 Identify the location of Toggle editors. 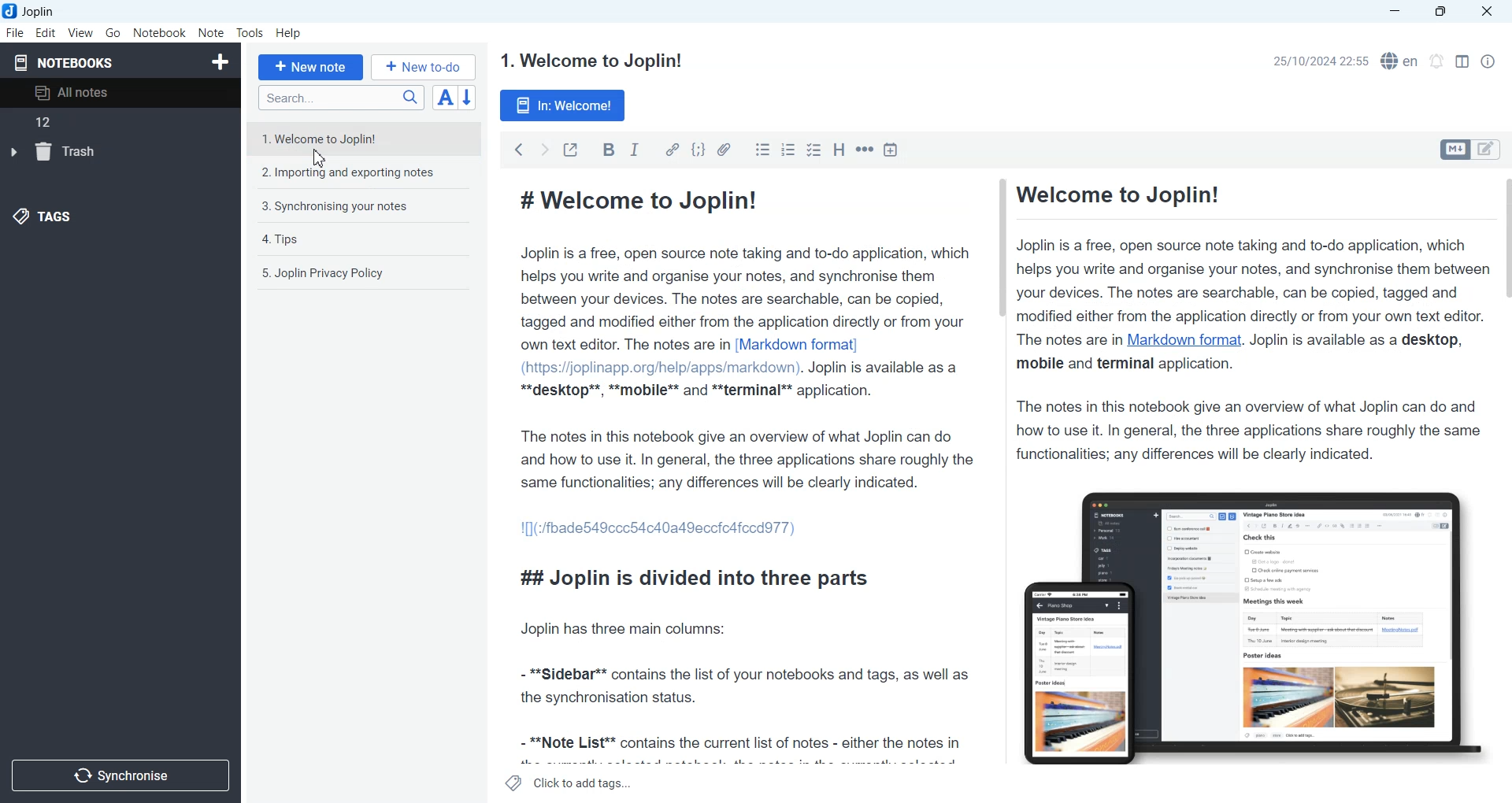
(1454, 150).